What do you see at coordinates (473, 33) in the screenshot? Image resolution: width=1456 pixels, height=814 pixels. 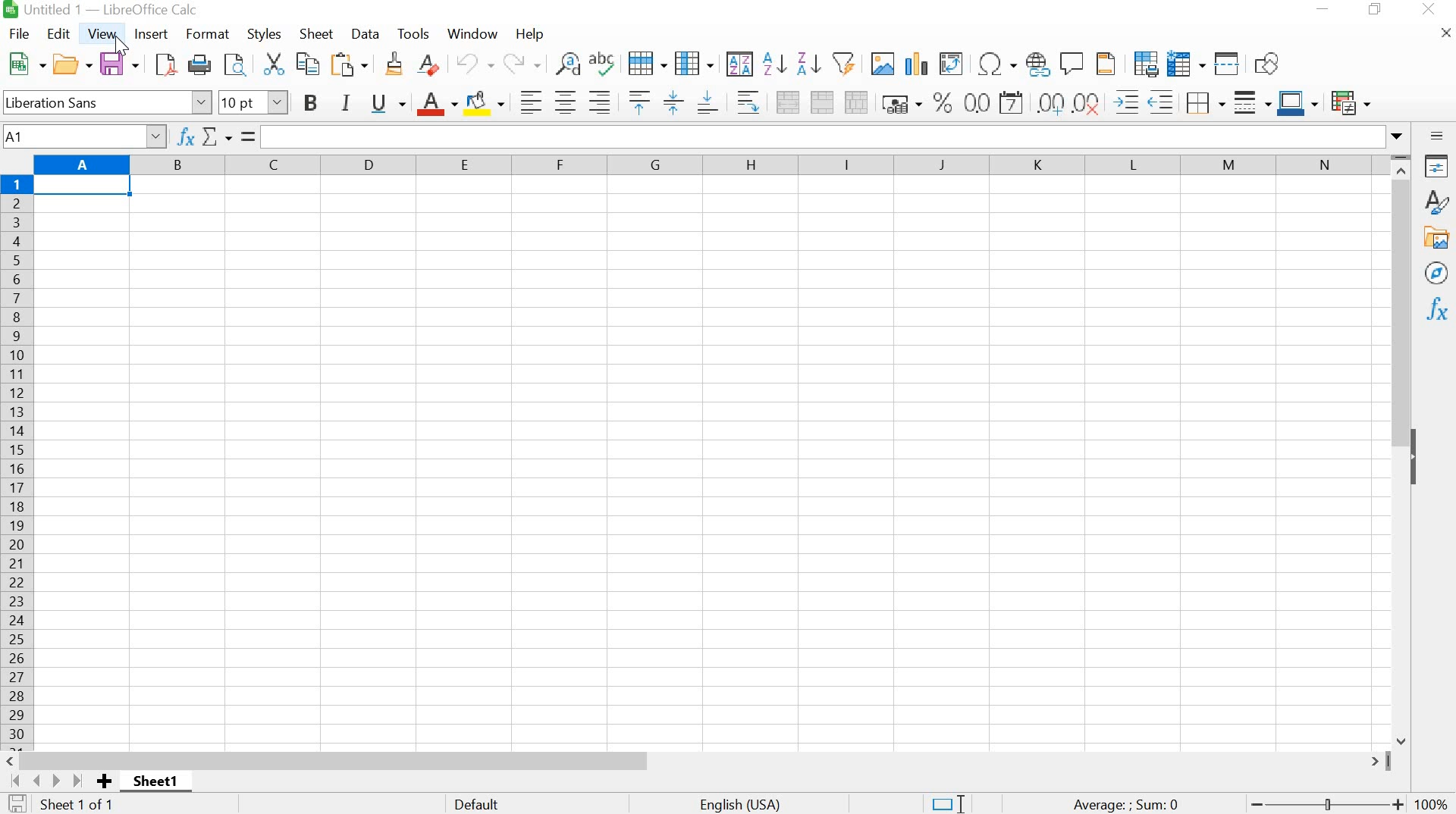 I see `WINDOW` at bounding box center [473, 33].